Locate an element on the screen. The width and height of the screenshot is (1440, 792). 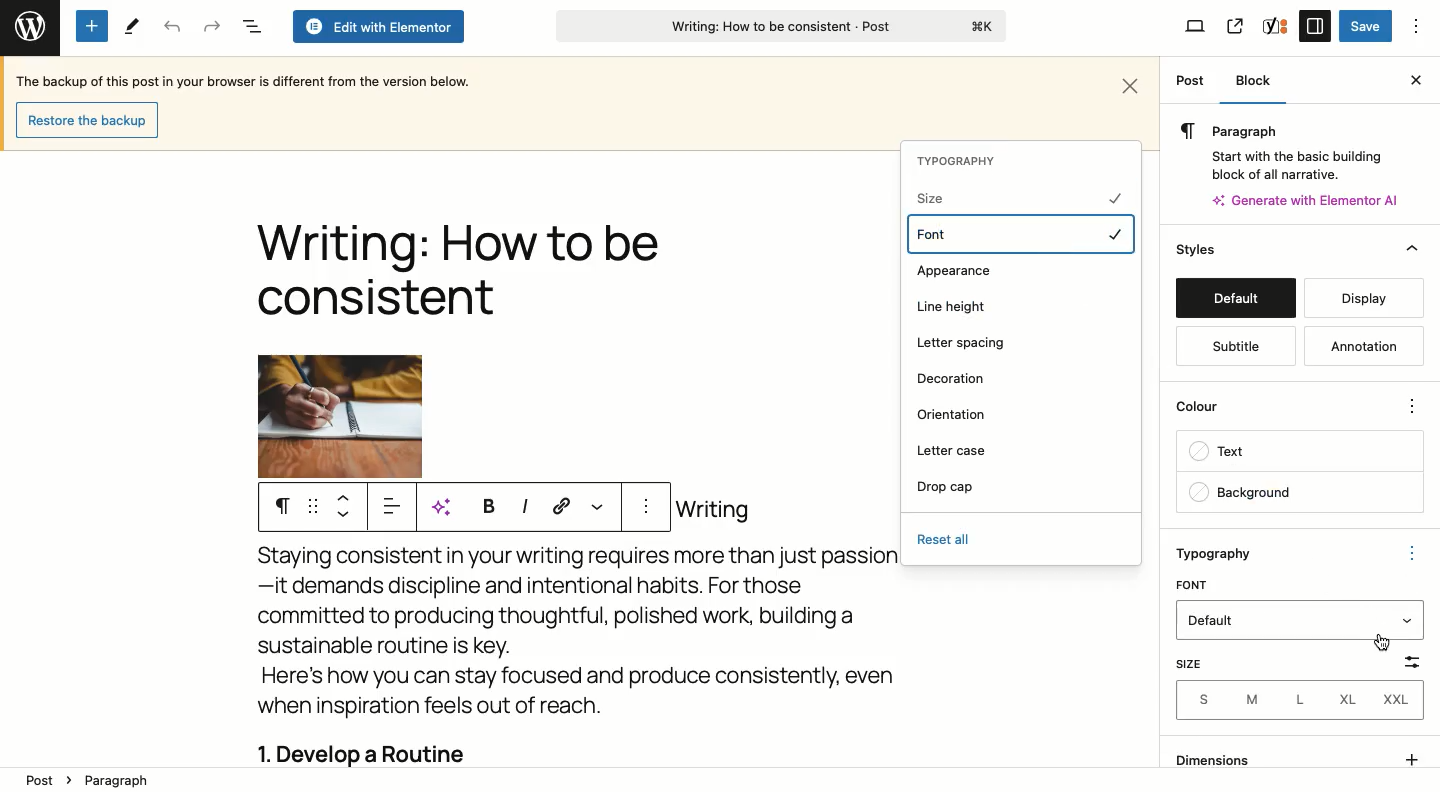
Italics is located at coordinates (524, 505).